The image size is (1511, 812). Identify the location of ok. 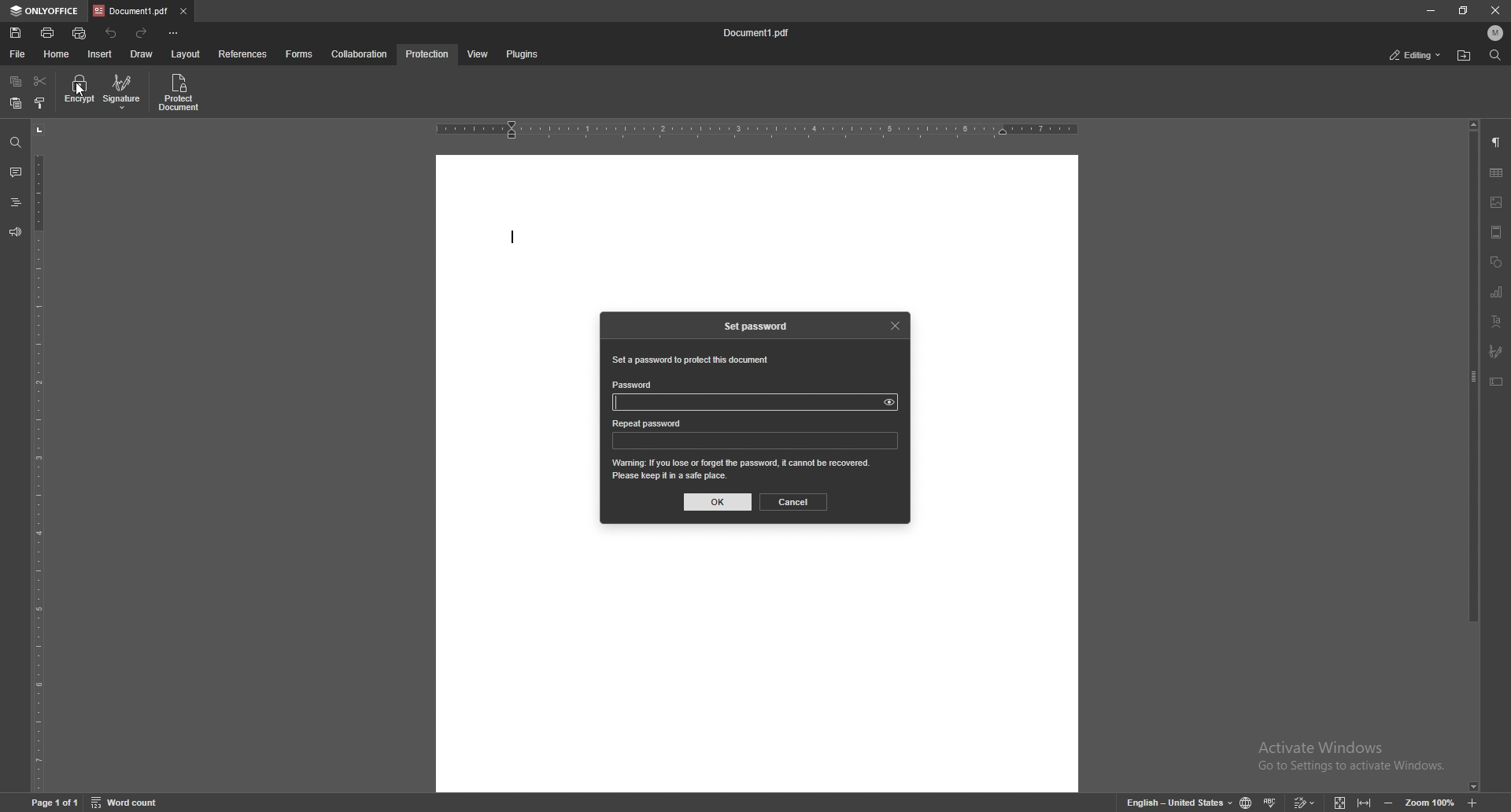
(718, 502).